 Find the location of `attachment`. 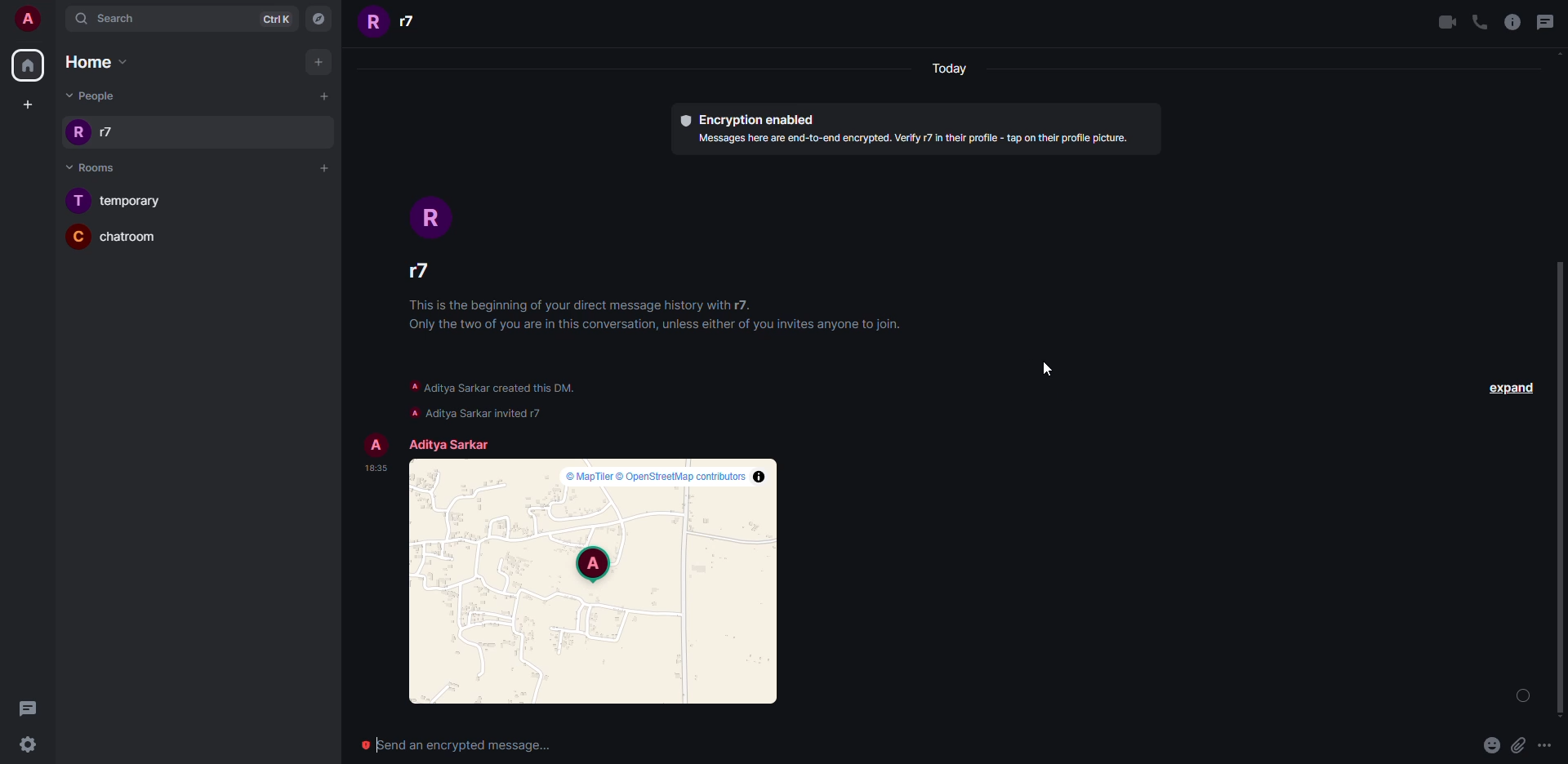

attachment is located at coordinates (1520, 745).